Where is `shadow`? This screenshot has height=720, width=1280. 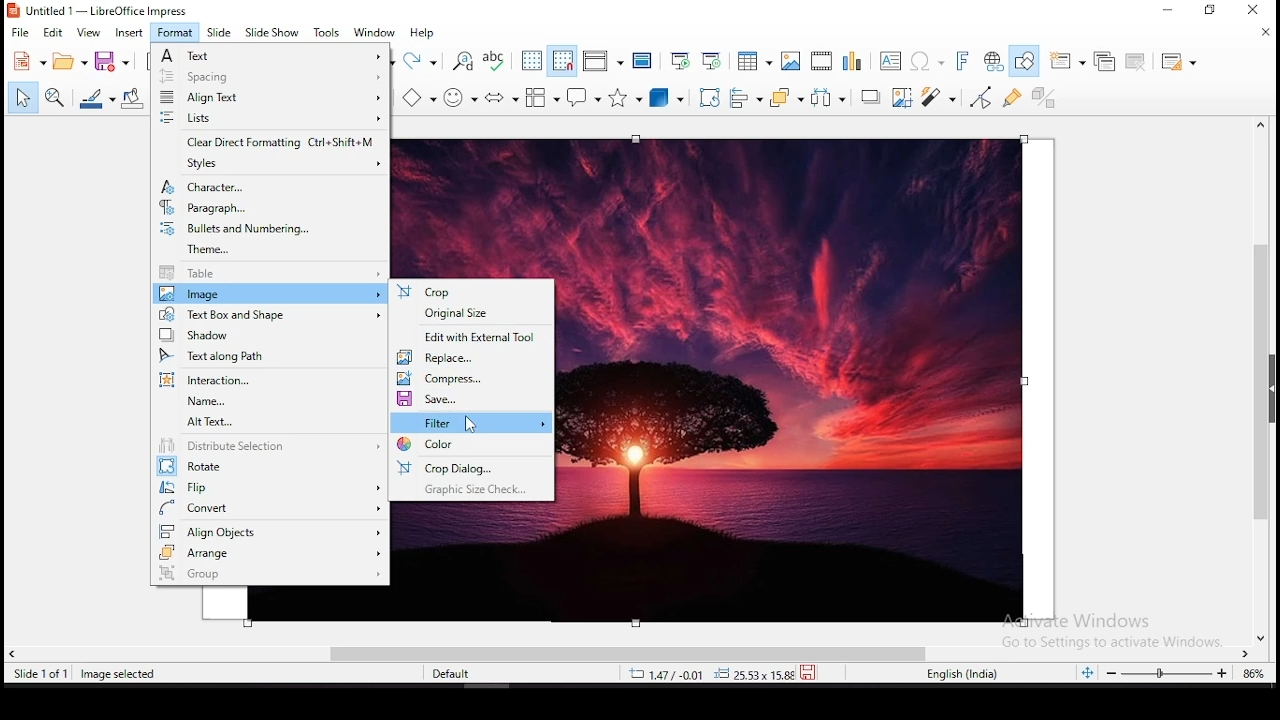
shadow is located at coordinates (267, 335).